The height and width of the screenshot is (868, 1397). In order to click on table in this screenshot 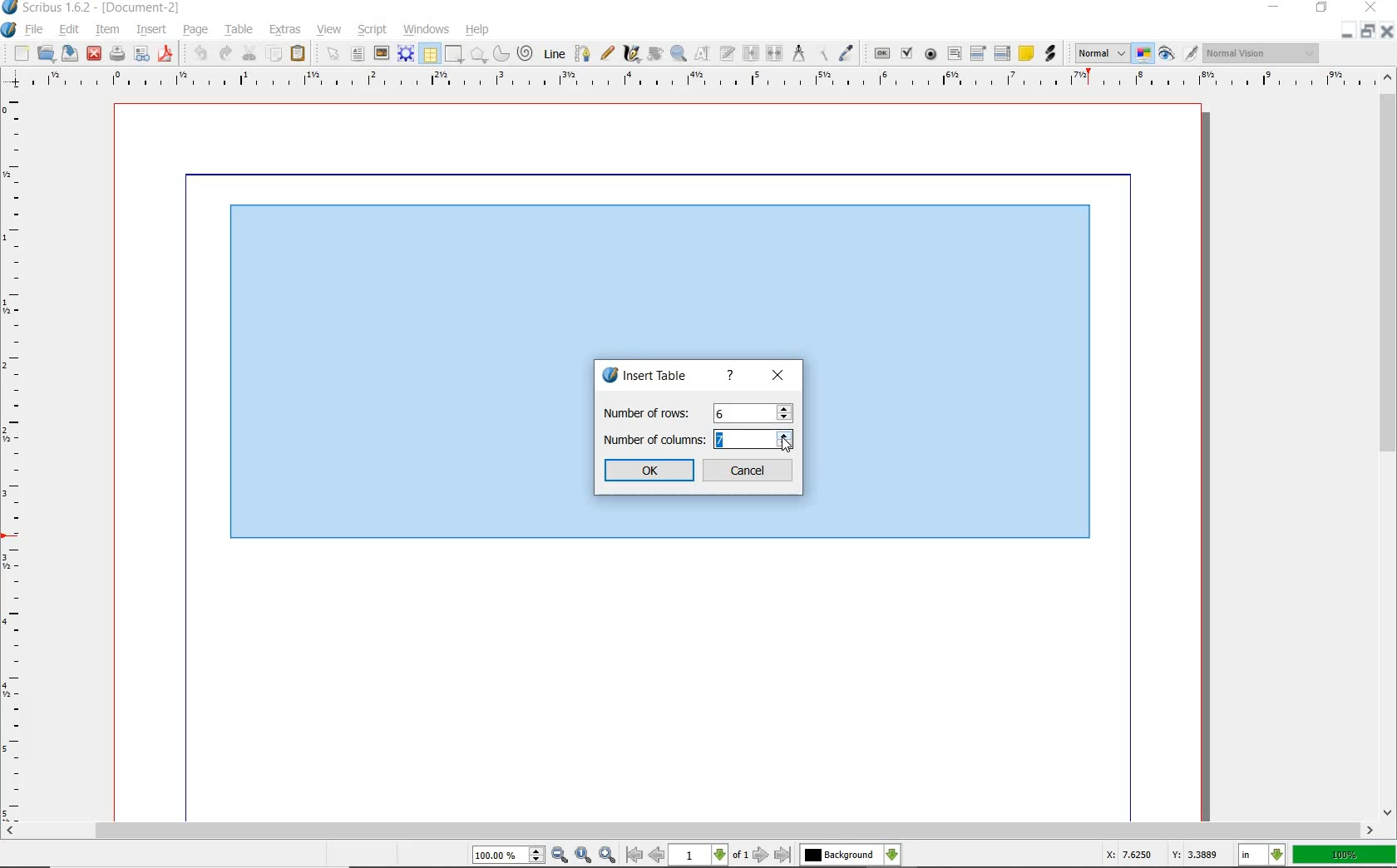, I will do `click(241, 31)`.